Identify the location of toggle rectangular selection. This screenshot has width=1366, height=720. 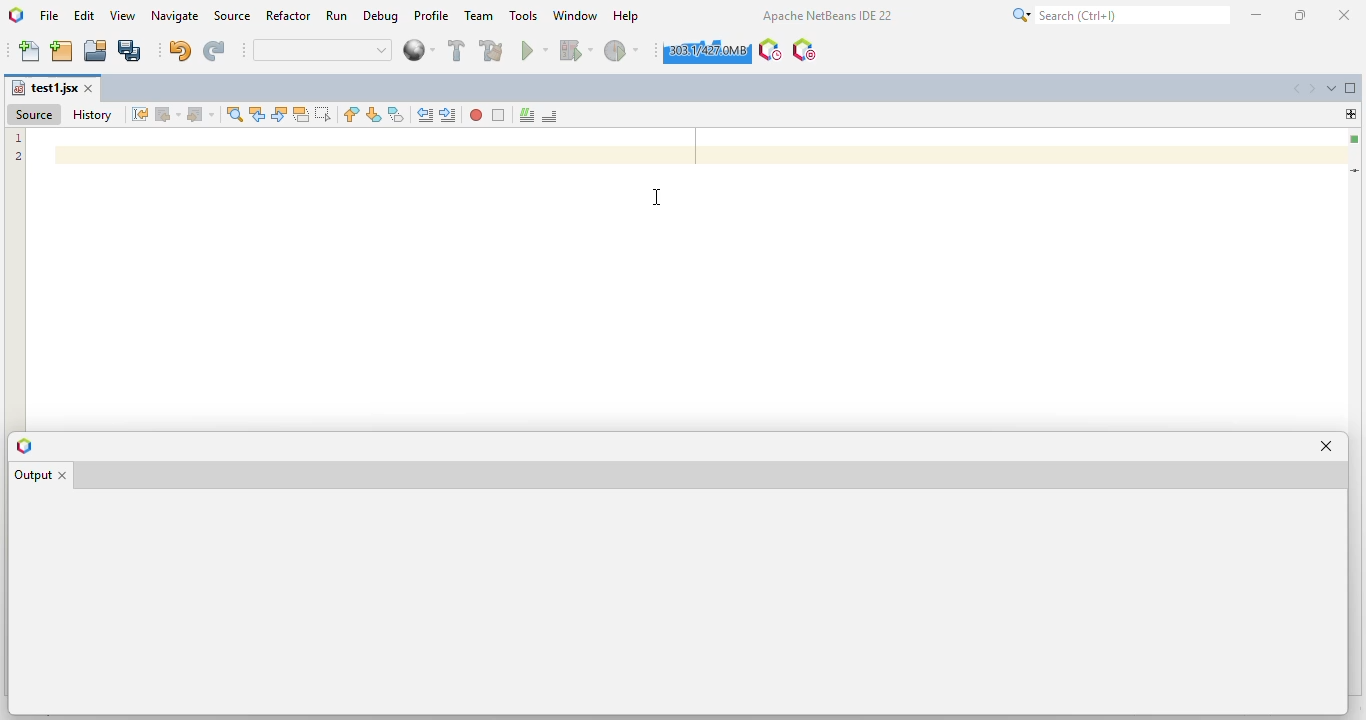
(322, 113).